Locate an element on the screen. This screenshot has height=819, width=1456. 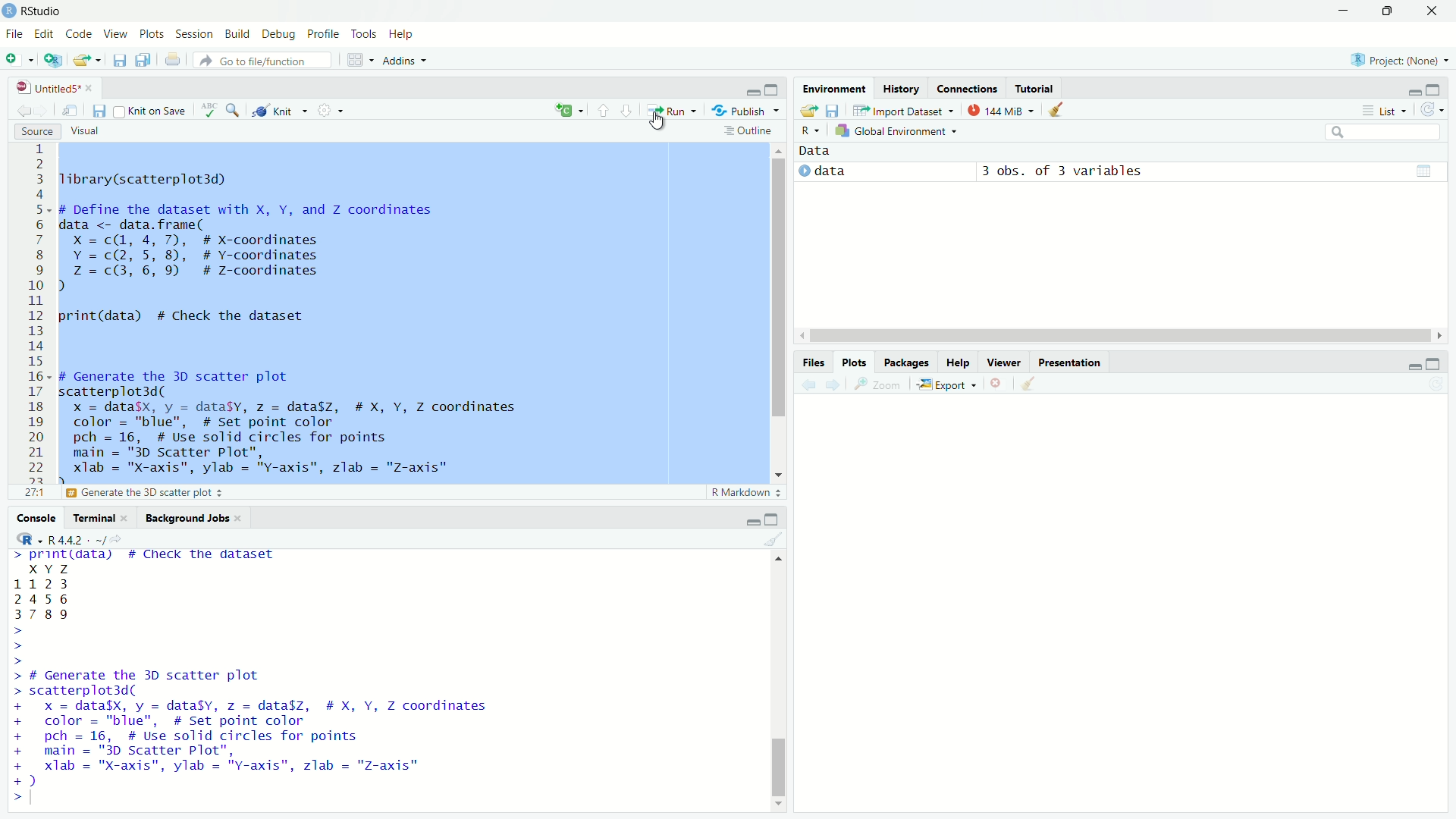
minimize is located at coordinates (1405, 89).